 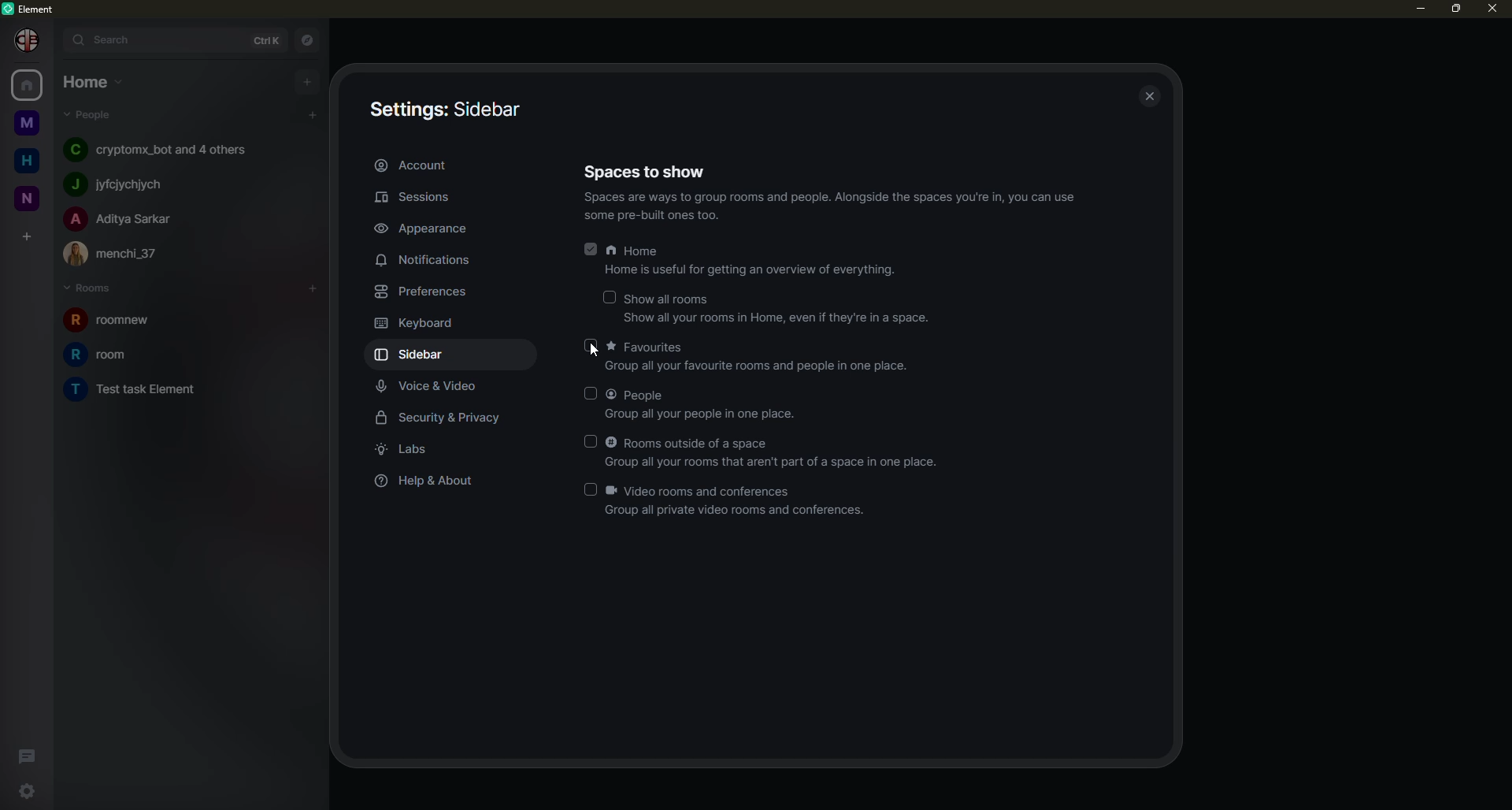 What do you see at coordinates (120, 254) in the screenshot?
I see `people` at bounding box center [120, 254].